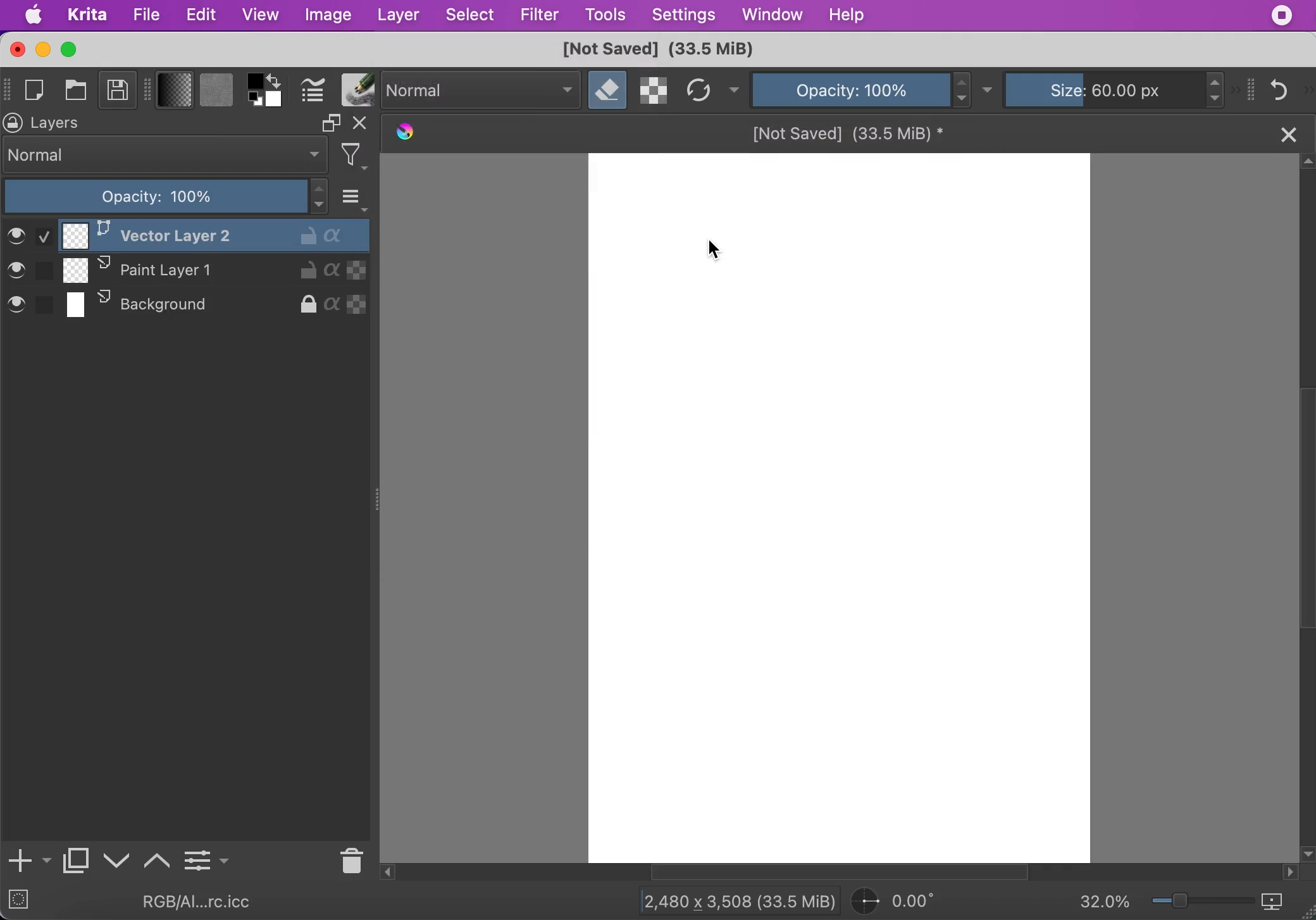  What do you see at coordinates (146, 15) in the screenshot?
I see `file` at bounding box center [146, 15].